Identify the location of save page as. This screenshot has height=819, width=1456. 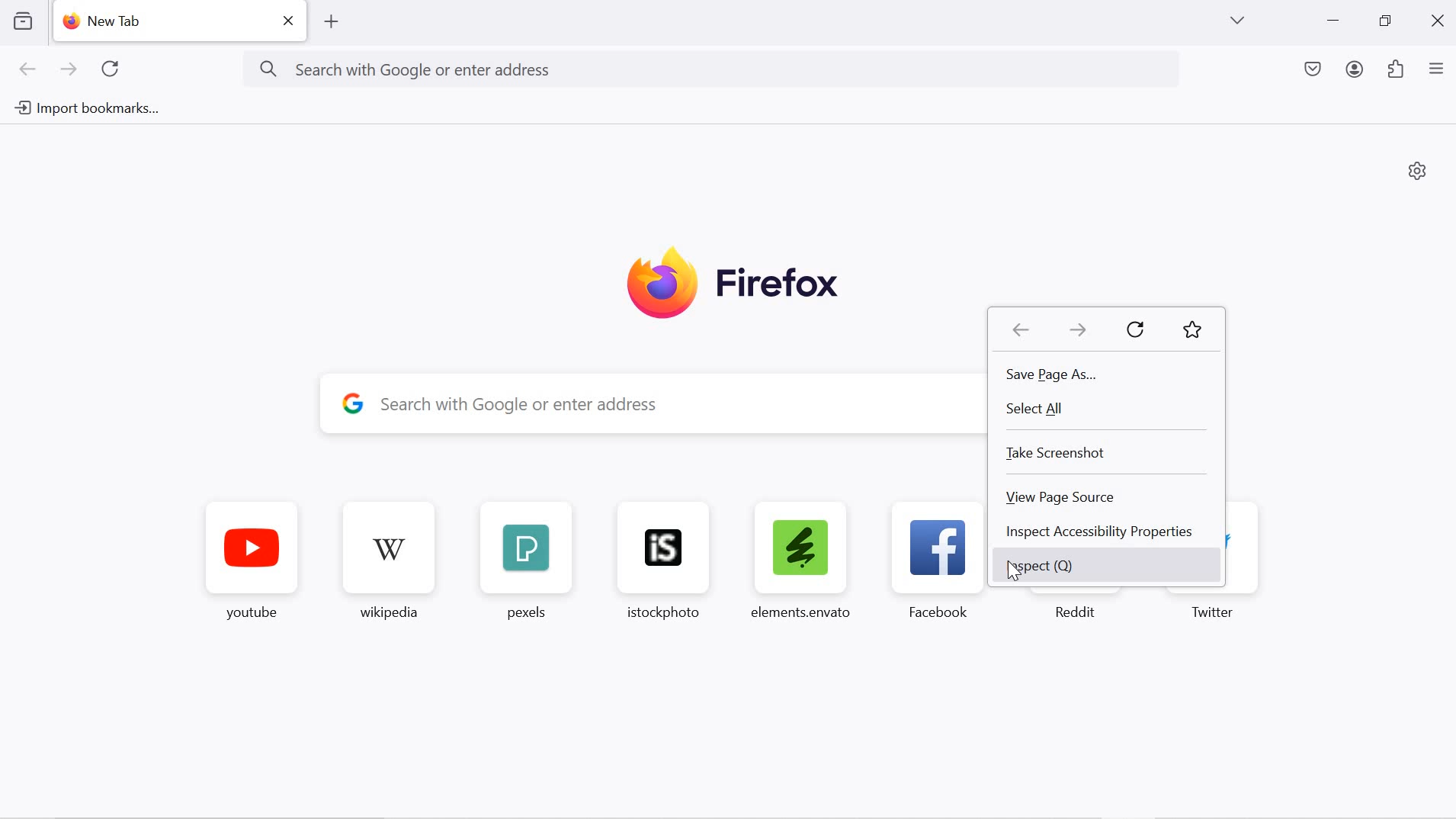
(1105, 374).